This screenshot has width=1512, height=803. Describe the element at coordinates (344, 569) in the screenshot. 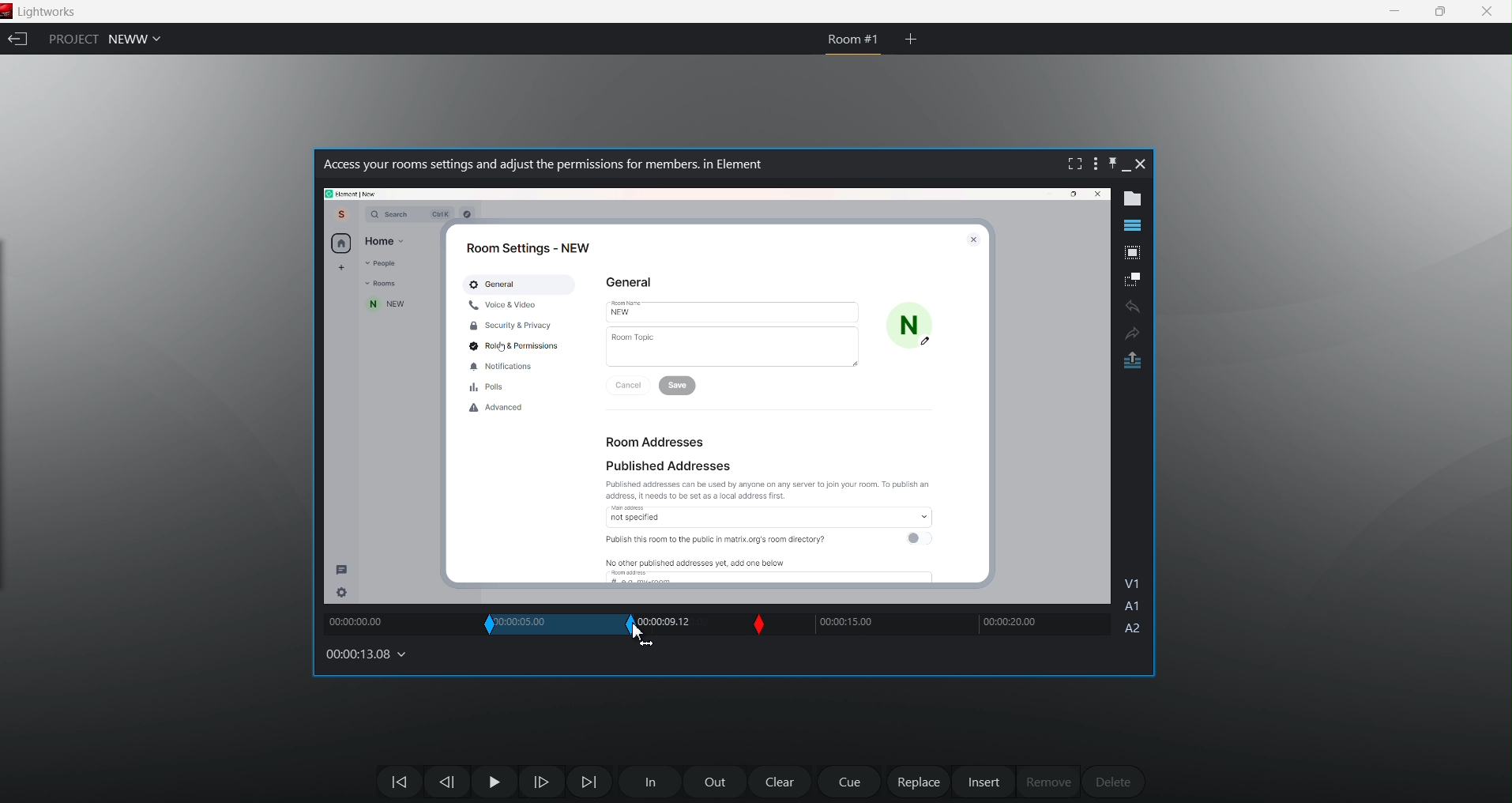

I see `message` at that location.